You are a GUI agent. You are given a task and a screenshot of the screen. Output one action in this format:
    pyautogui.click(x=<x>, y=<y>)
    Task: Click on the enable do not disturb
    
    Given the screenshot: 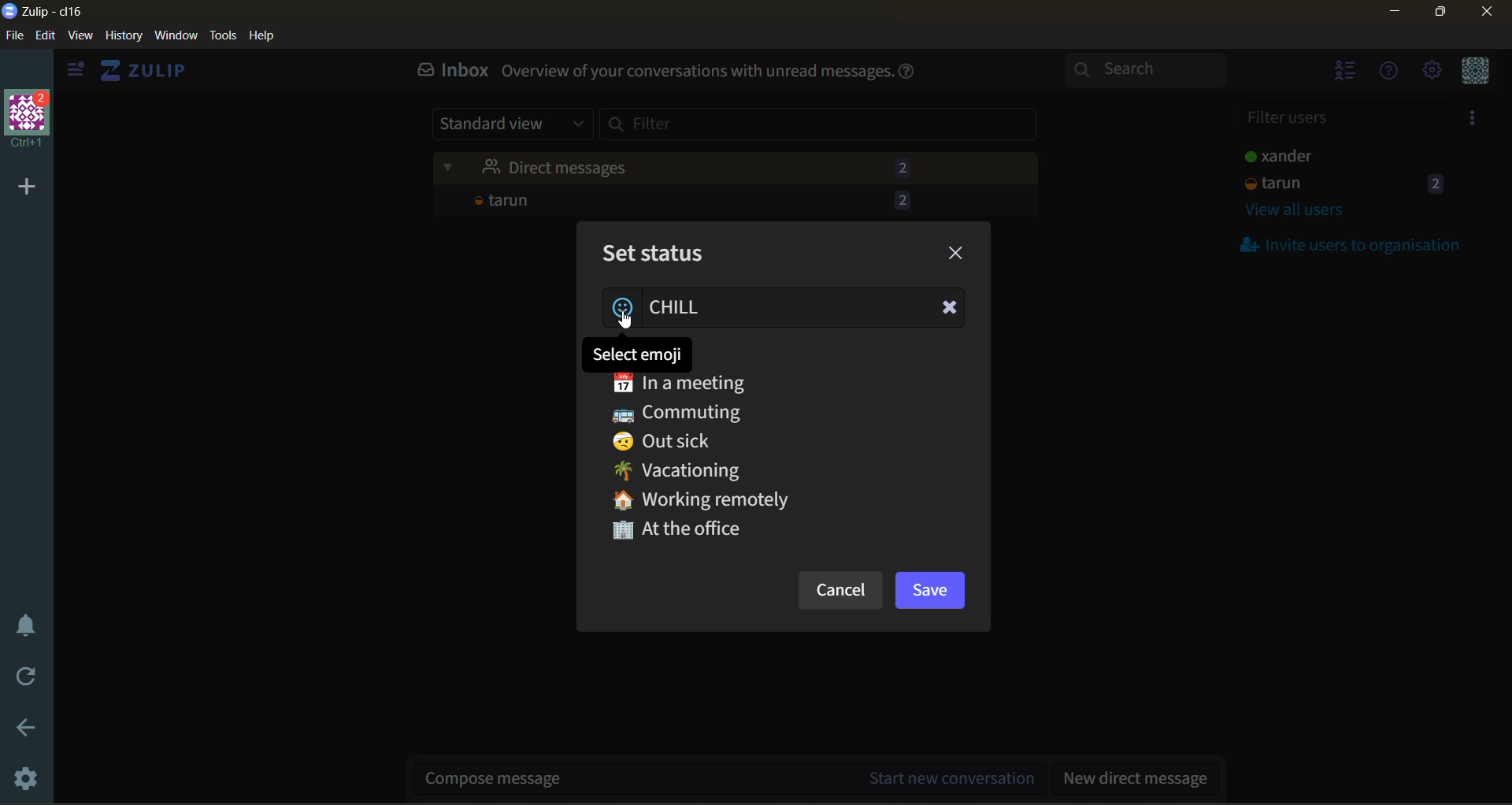 What is the action you would take?
    pyautogui.click(x=24, y=632)
    